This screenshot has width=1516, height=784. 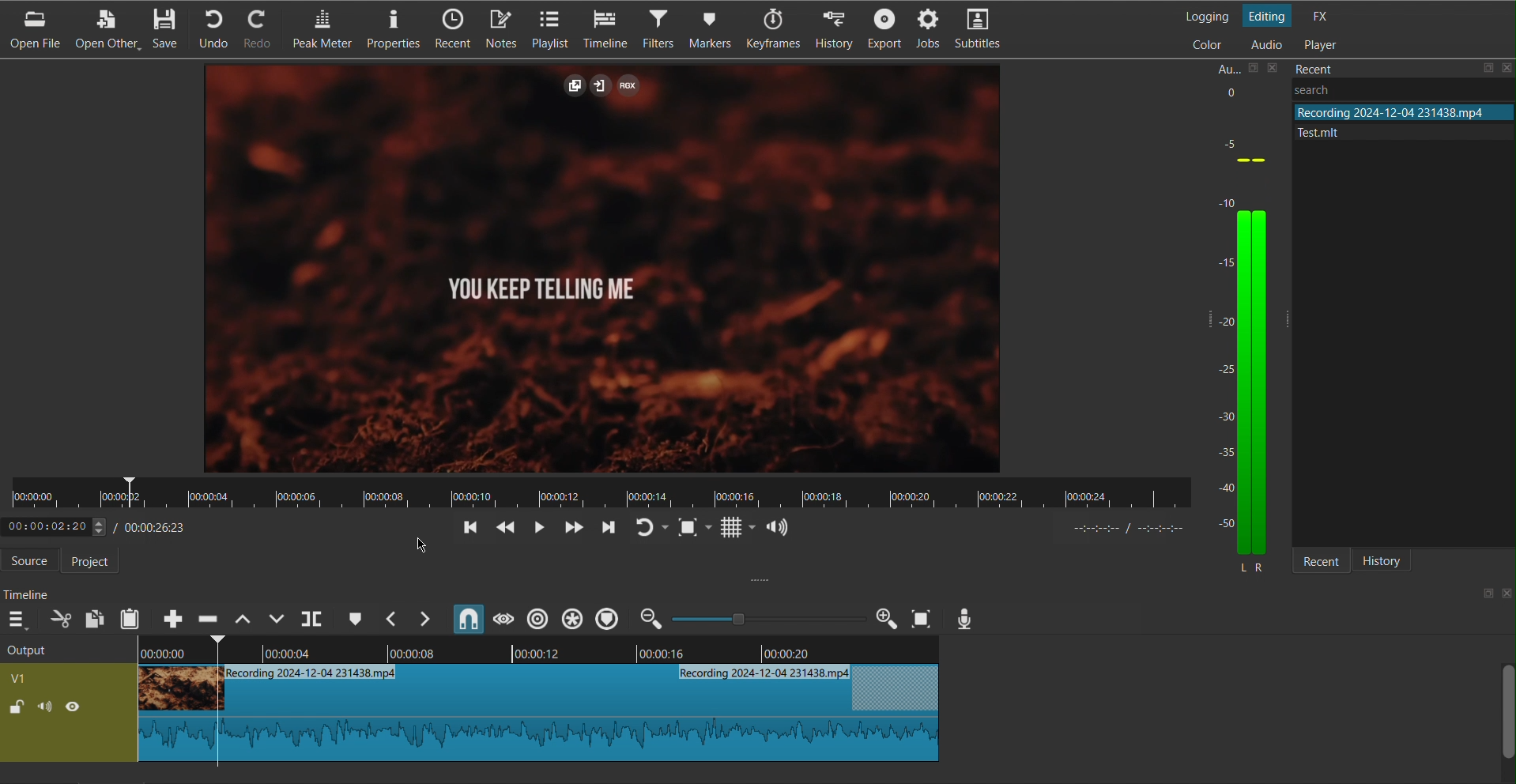 What do you see at coordinates (130, 616) in the screenshot?
I see `Paste` at bounding box center [130, 616].